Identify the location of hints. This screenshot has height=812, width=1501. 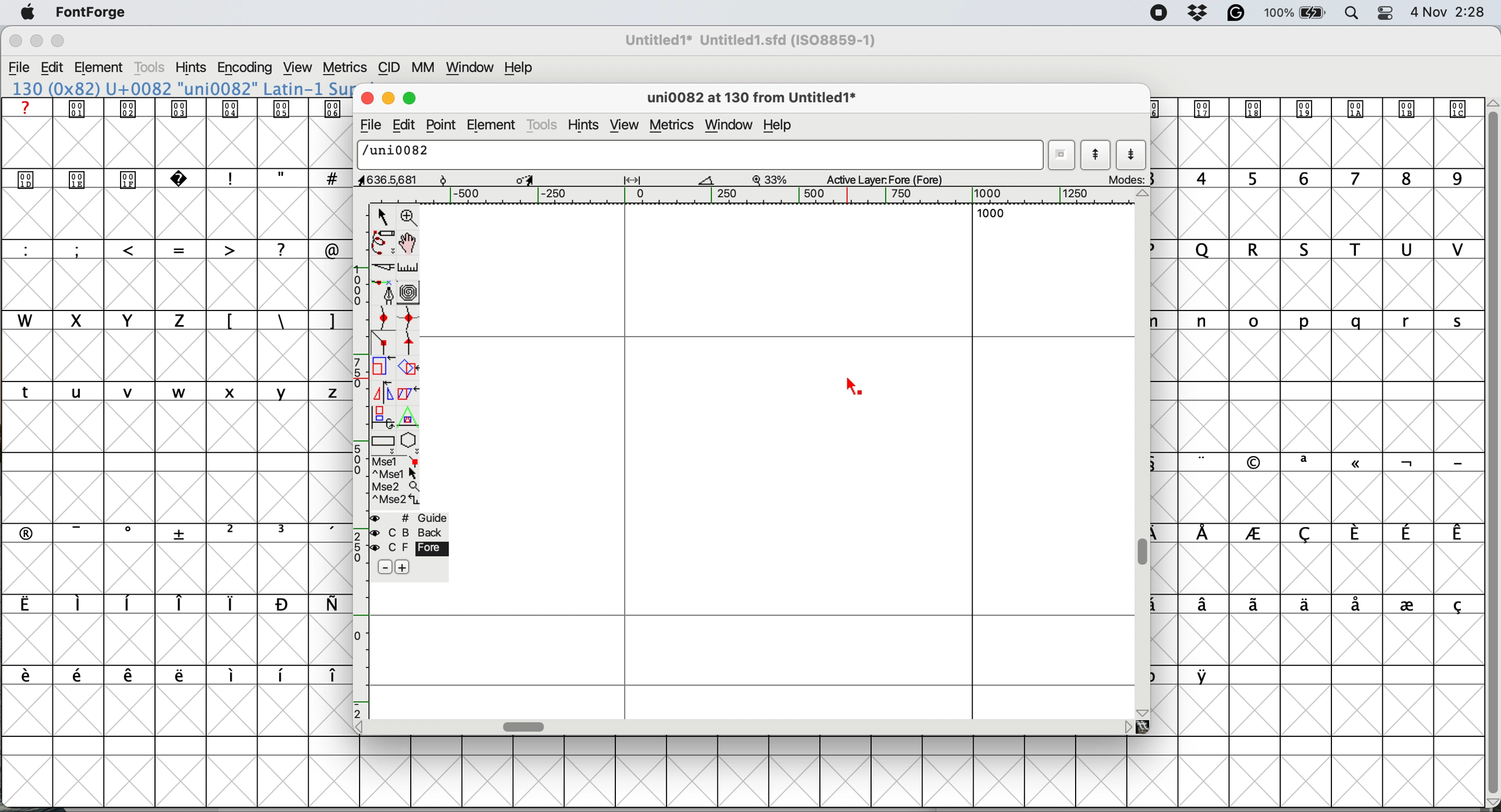
(191, 67).